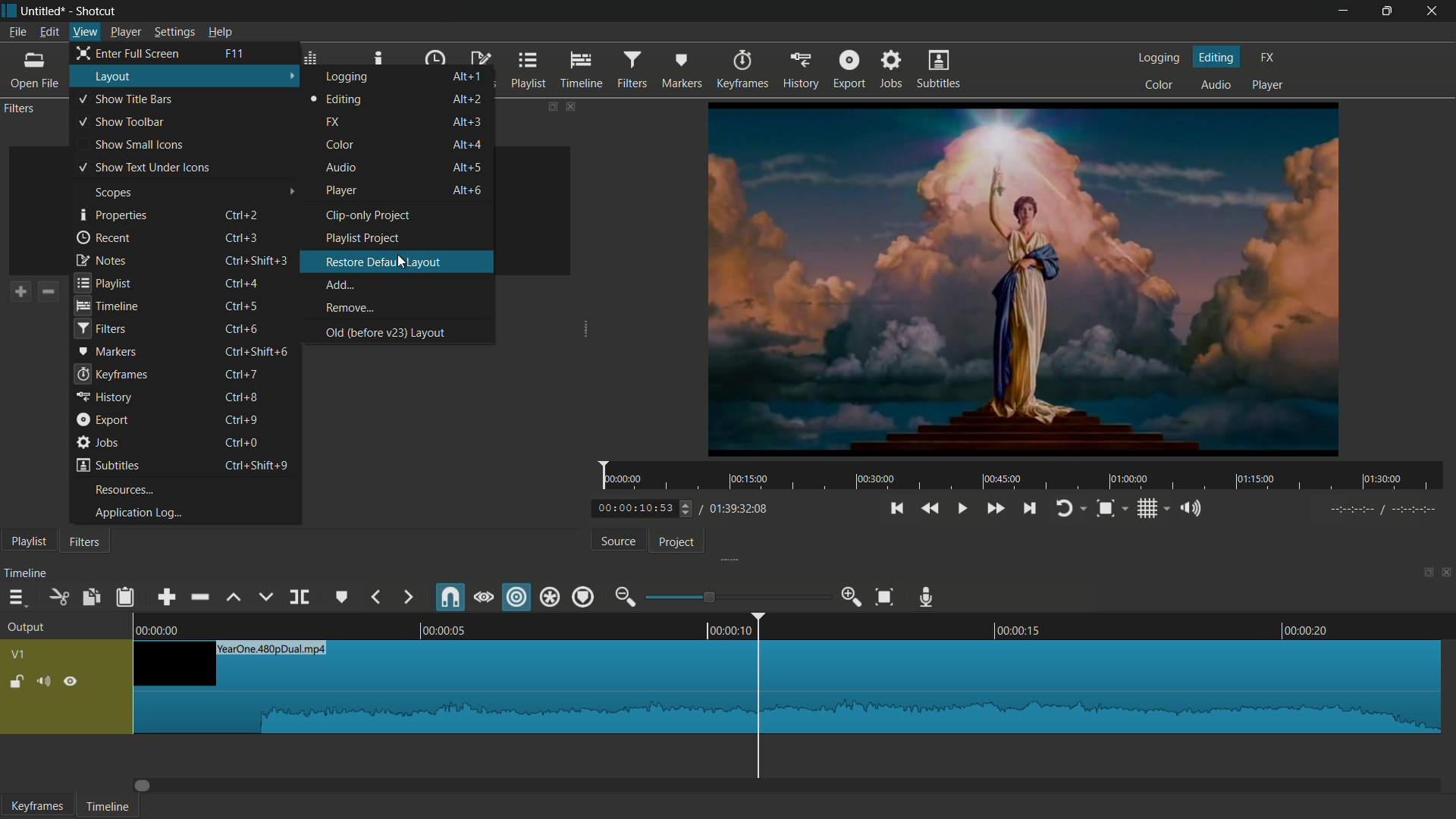 This screenshot has height=819, width=1456. What do you see at coordinates (1160, 83) in the screenshot?
I see `color` at bounding box center [1160, 83].